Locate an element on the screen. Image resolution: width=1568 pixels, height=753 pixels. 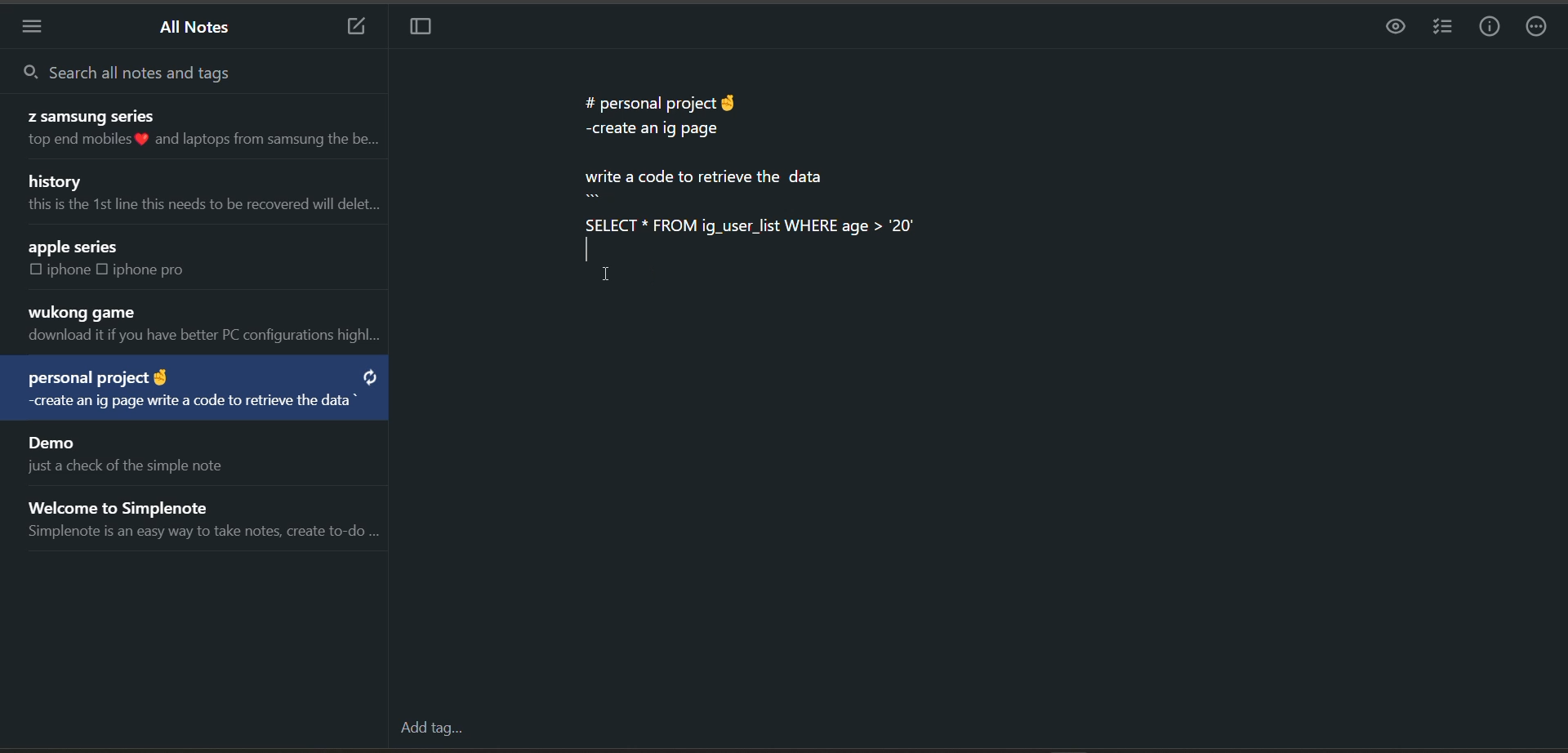
info is located at coordinates (1490, 27).